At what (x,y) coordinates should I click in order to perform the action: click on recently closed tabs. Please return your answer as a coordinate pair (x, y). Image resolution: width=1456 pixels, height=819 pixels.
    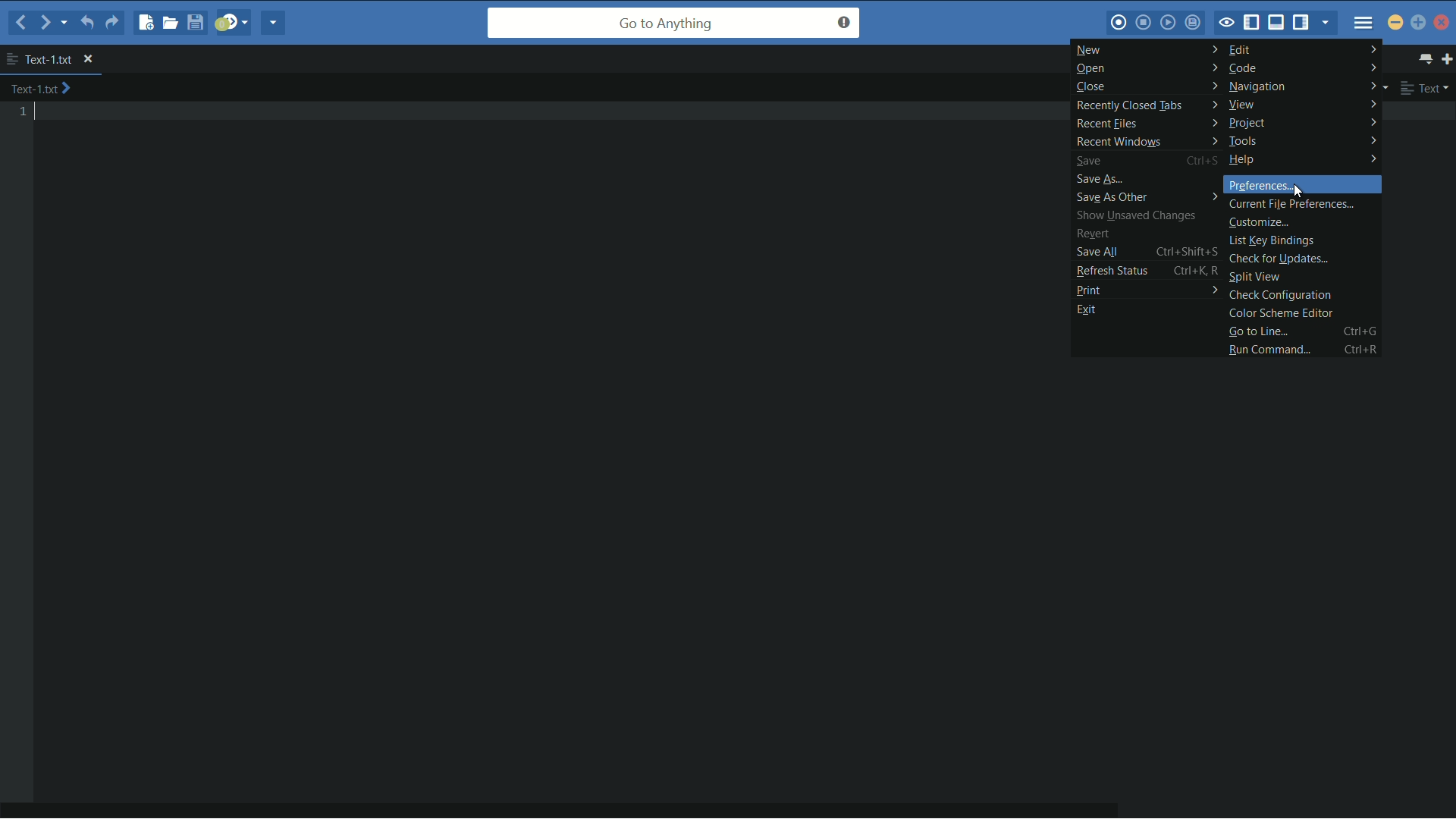
    Looking at the image, I should click on (1146, 106).